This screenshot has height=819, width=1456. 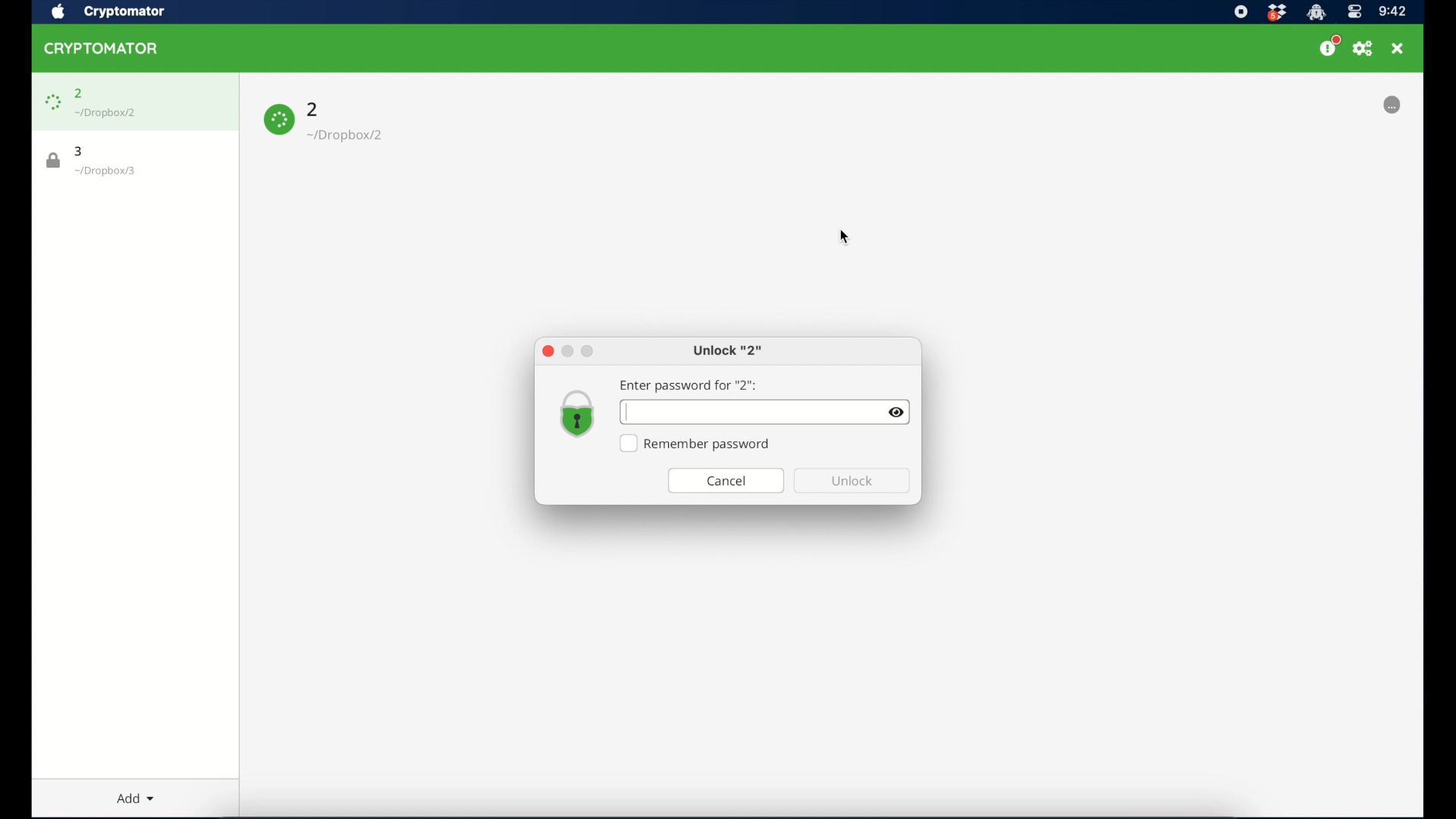 I want to click on unlock 2, so click(x=728, y=352).